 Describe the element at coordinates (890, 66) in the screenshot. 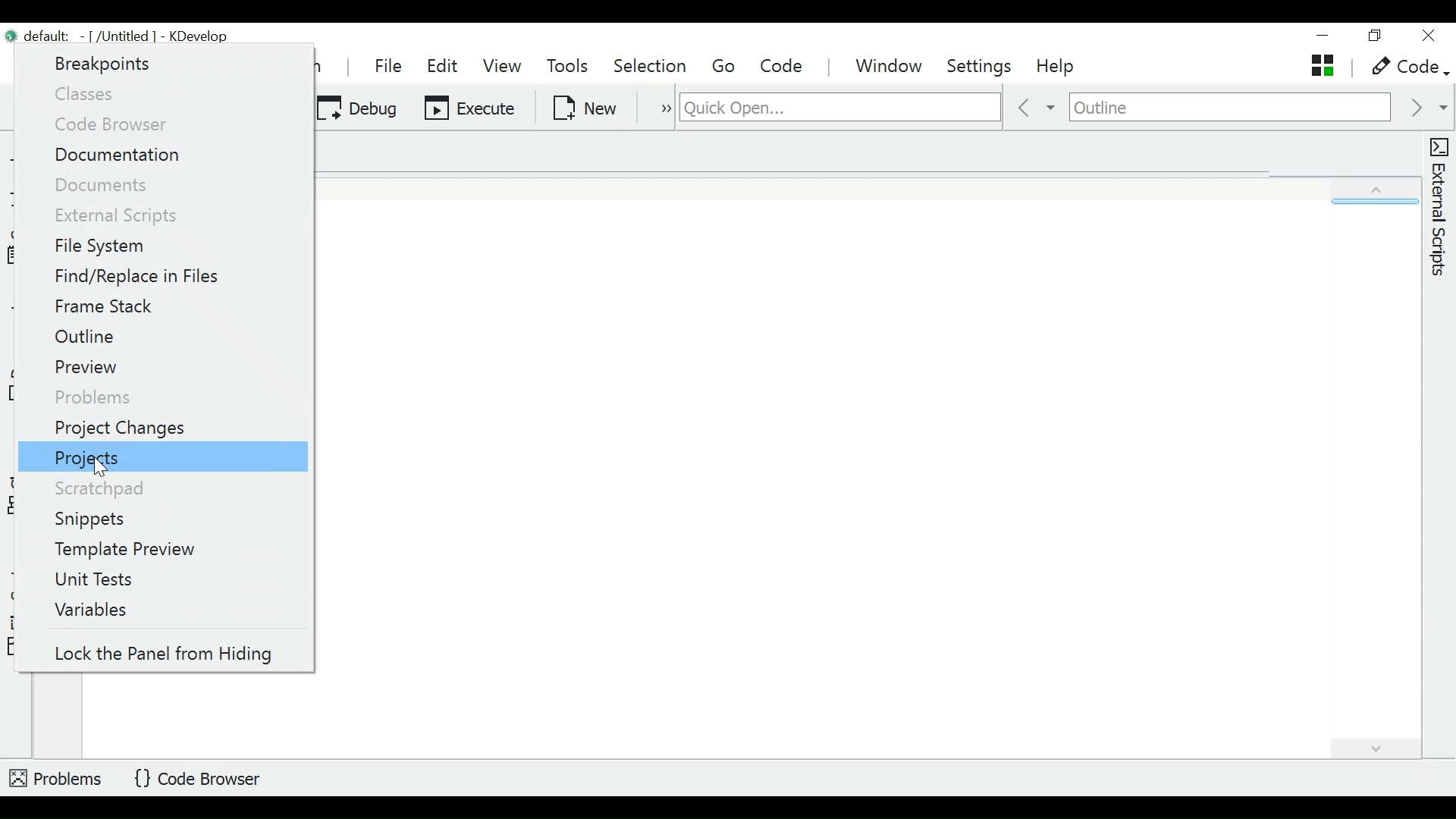

I see `Window` at that location.